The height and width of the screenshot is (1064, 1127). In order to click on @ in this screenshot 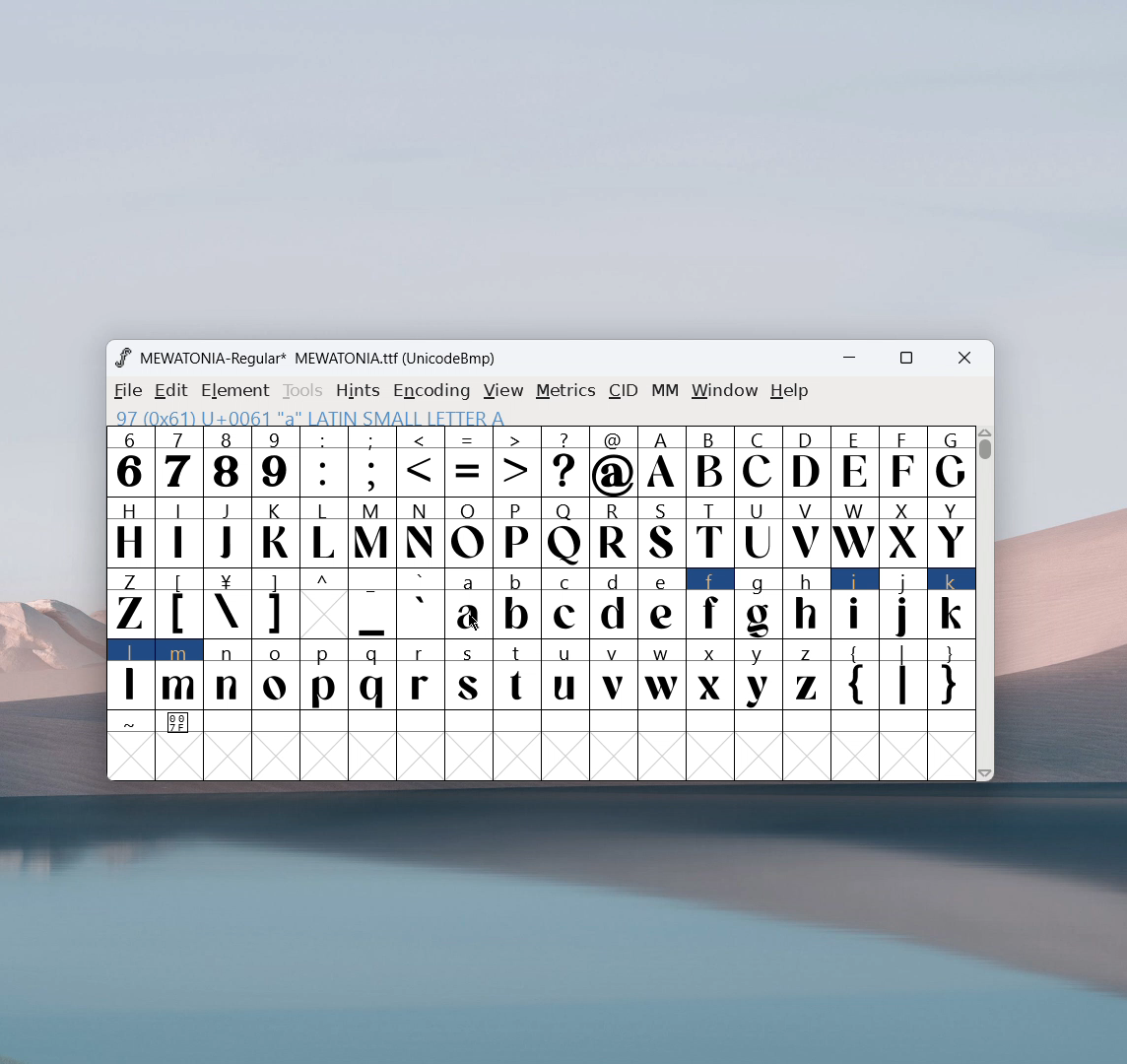, I will do `click(615, 462)`.